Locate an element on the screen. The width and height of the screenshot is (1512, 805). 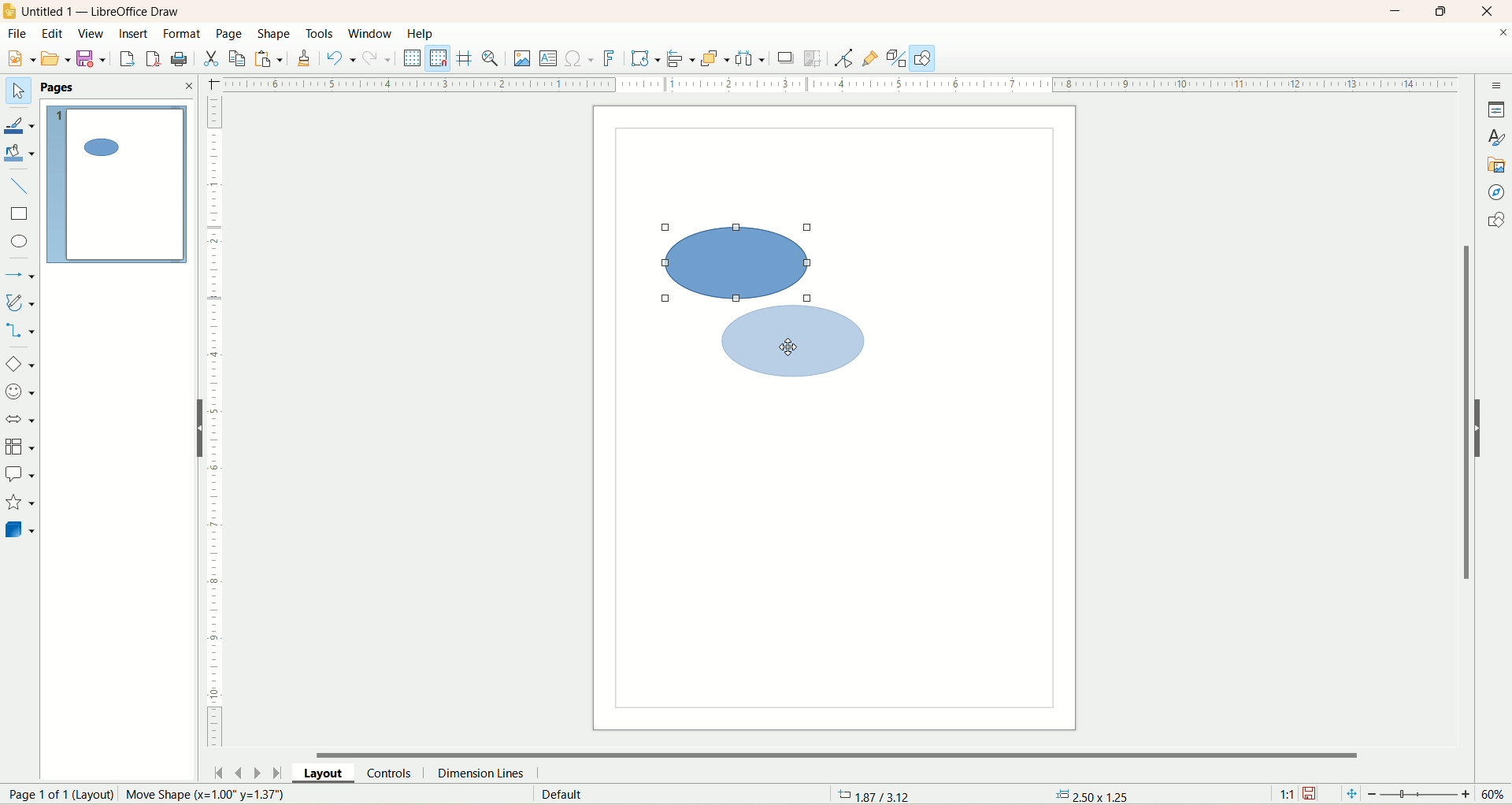
view is located at coordinates (88, 32).